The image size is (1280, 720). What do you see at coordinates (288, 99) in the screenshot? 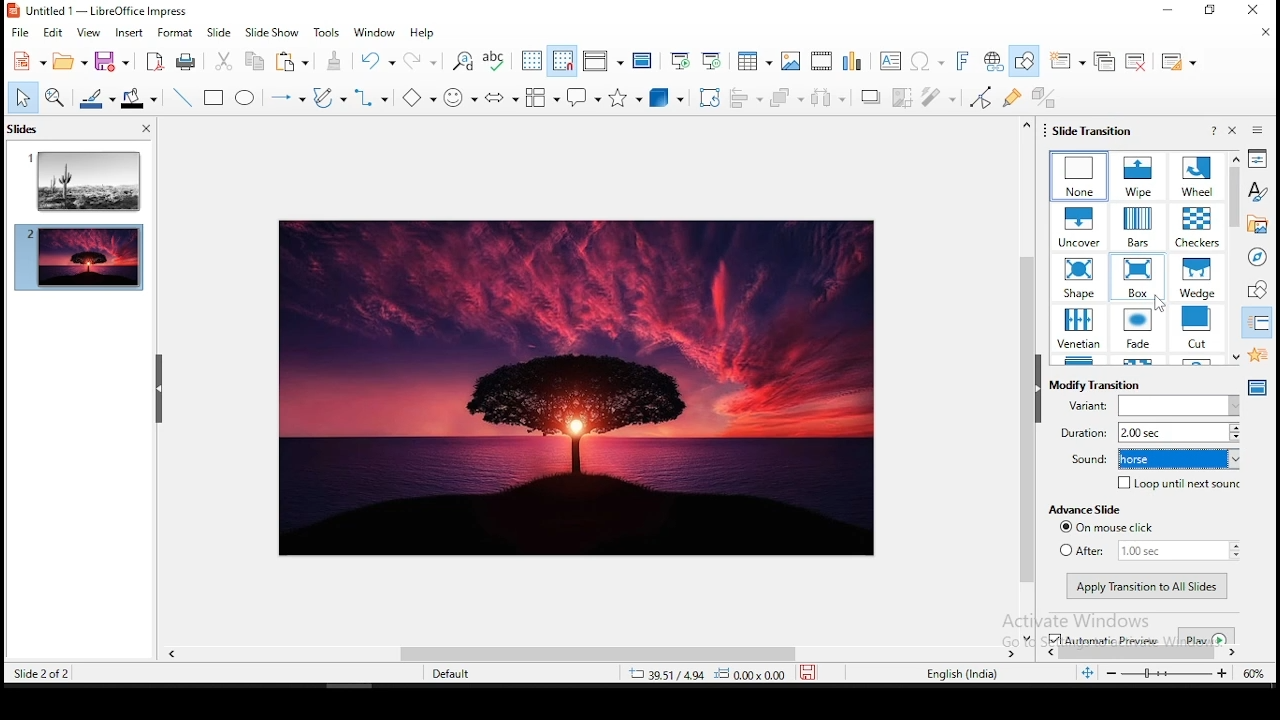
I see `lines and arrows` at bounding box center [288, 99].